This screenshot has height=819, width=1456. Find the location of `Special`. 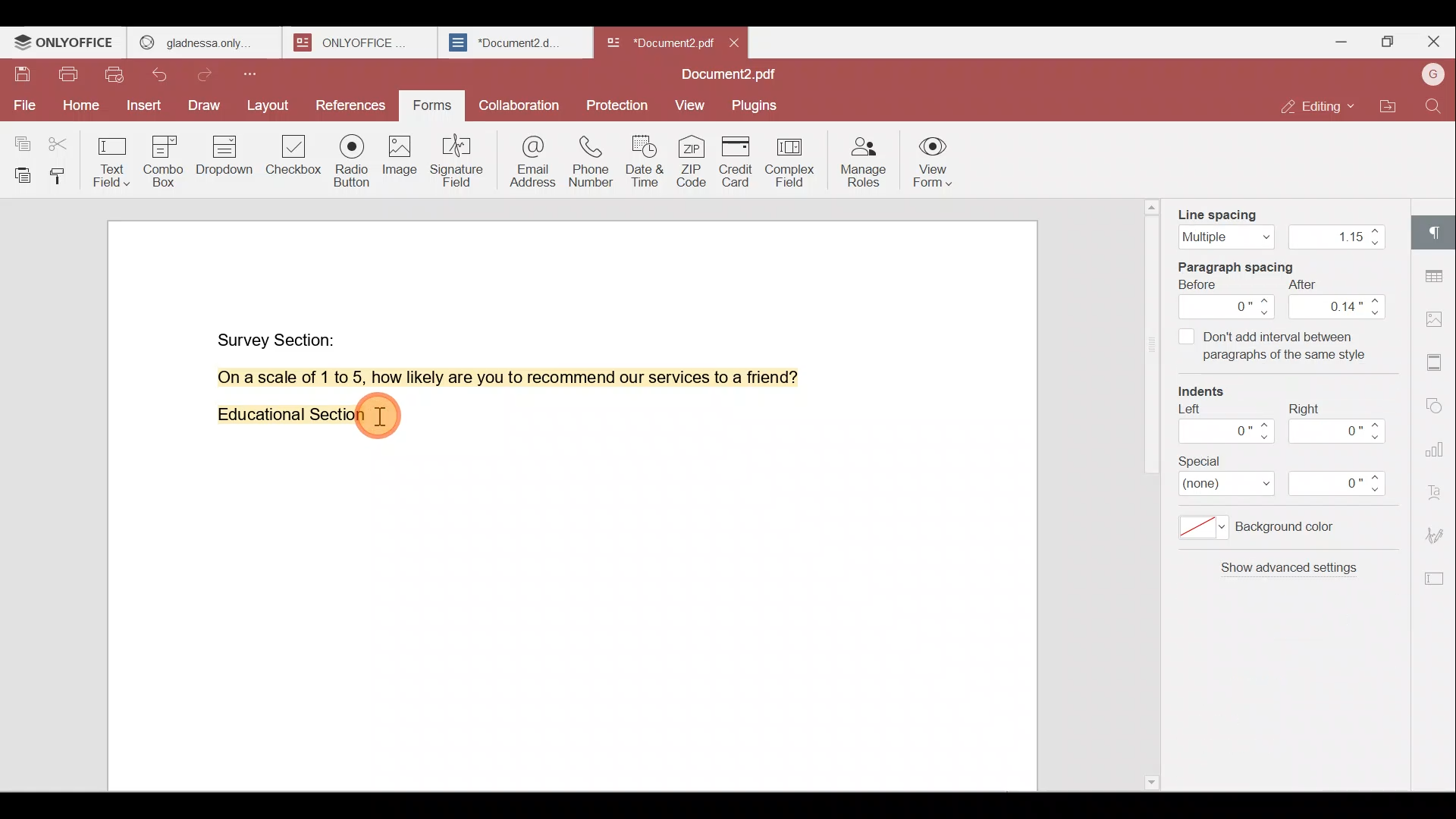

Special is located at coordinates (1292, 477).